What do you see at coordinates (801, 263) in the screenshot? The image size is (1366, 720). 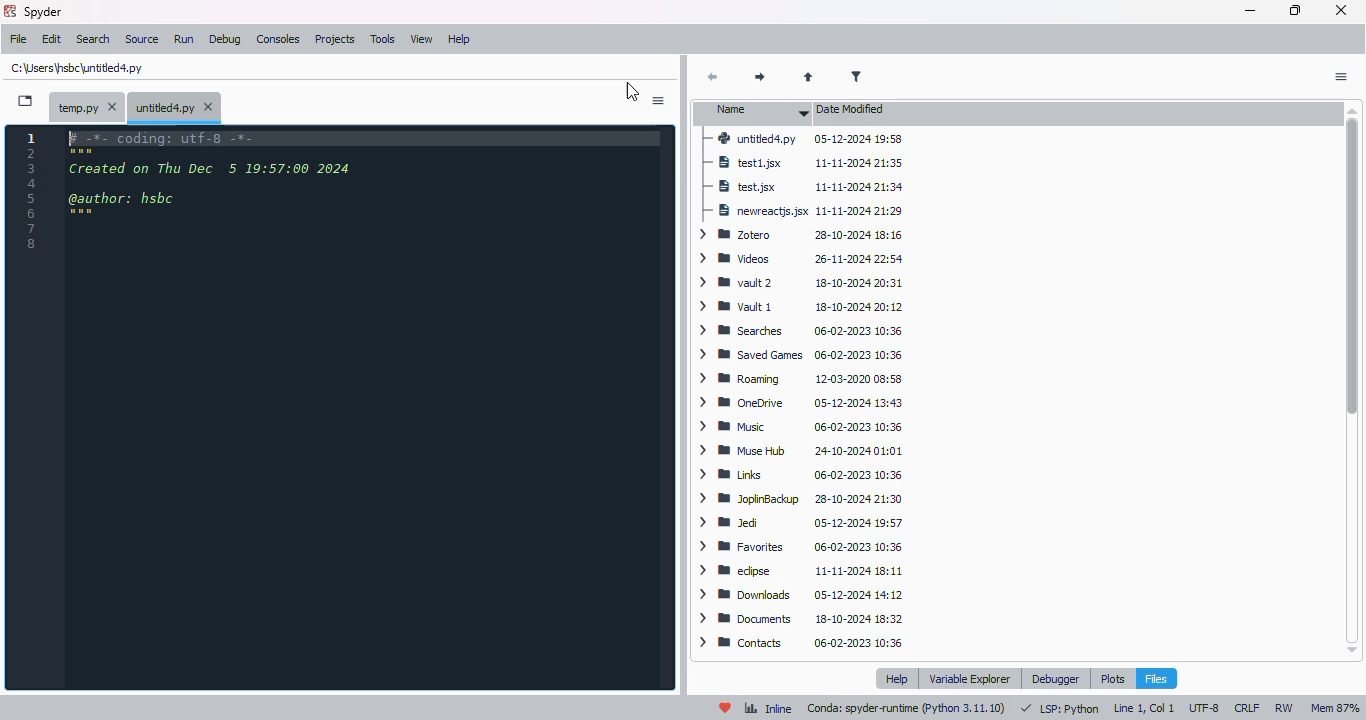 I see `newreactjs.jsx` at bounding box center [801, 263].